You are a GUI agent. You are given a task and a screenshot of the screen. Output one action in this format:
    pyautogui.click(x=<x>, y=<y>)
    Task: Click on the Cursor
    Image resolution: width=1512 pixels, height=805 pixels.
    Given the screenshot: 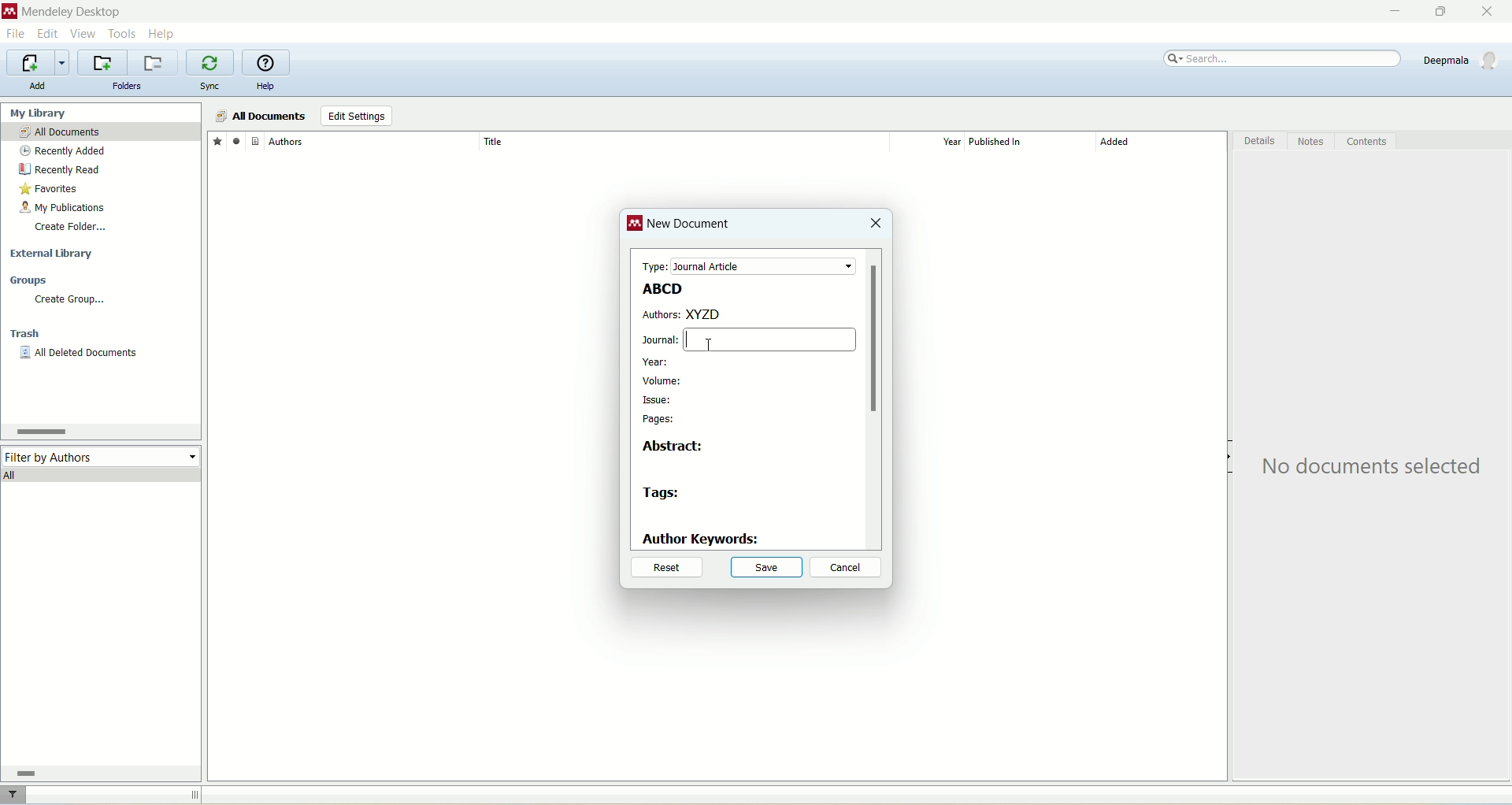 What is the action you would take?
    pyautogui.click(x=713, y=346)
    